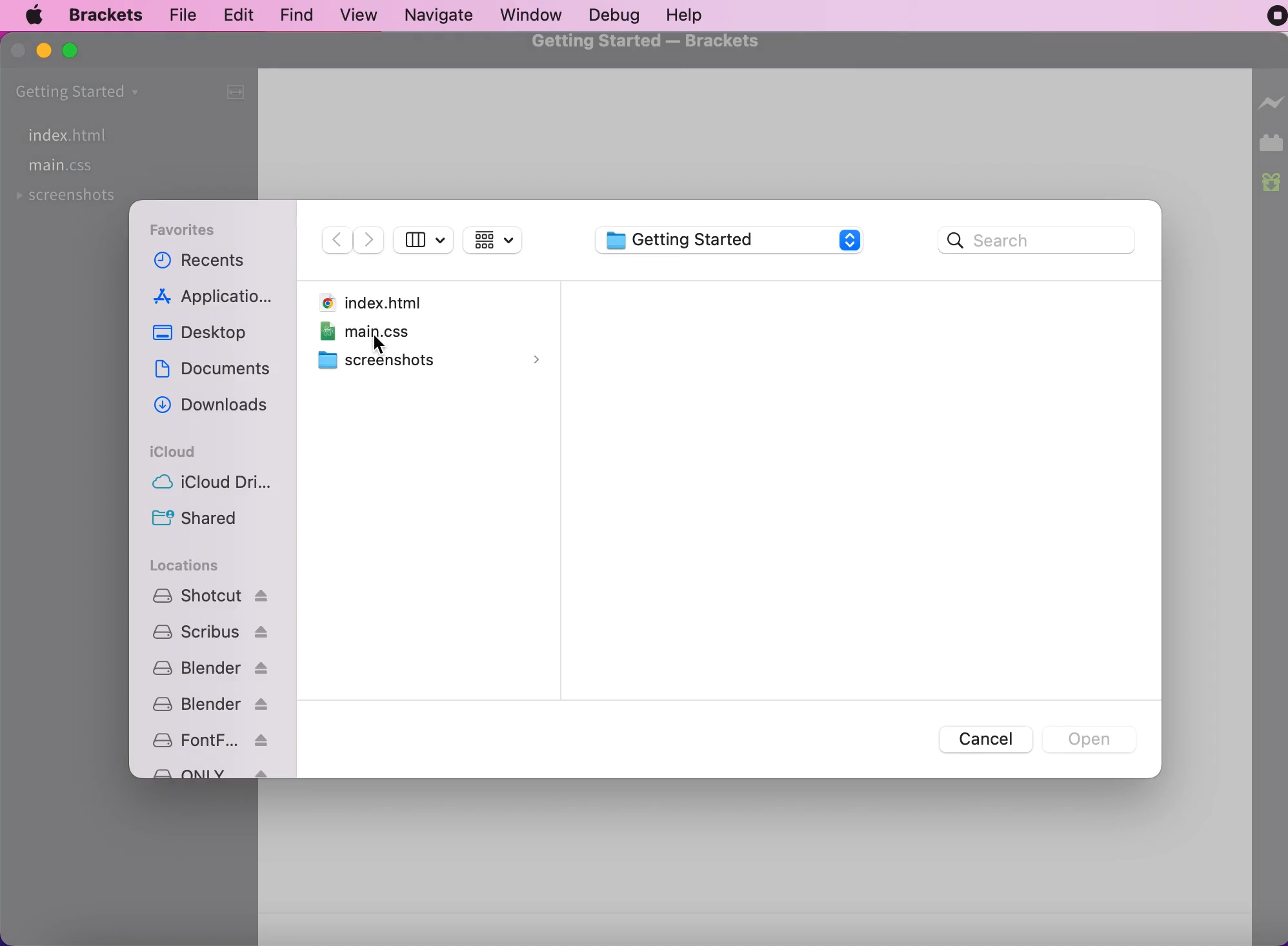 Image resolution: width=1288 pixels, height=946 pixels. Describe the element at coordinates (210, 772) in the screenshot. I see `ONLY` at that location.